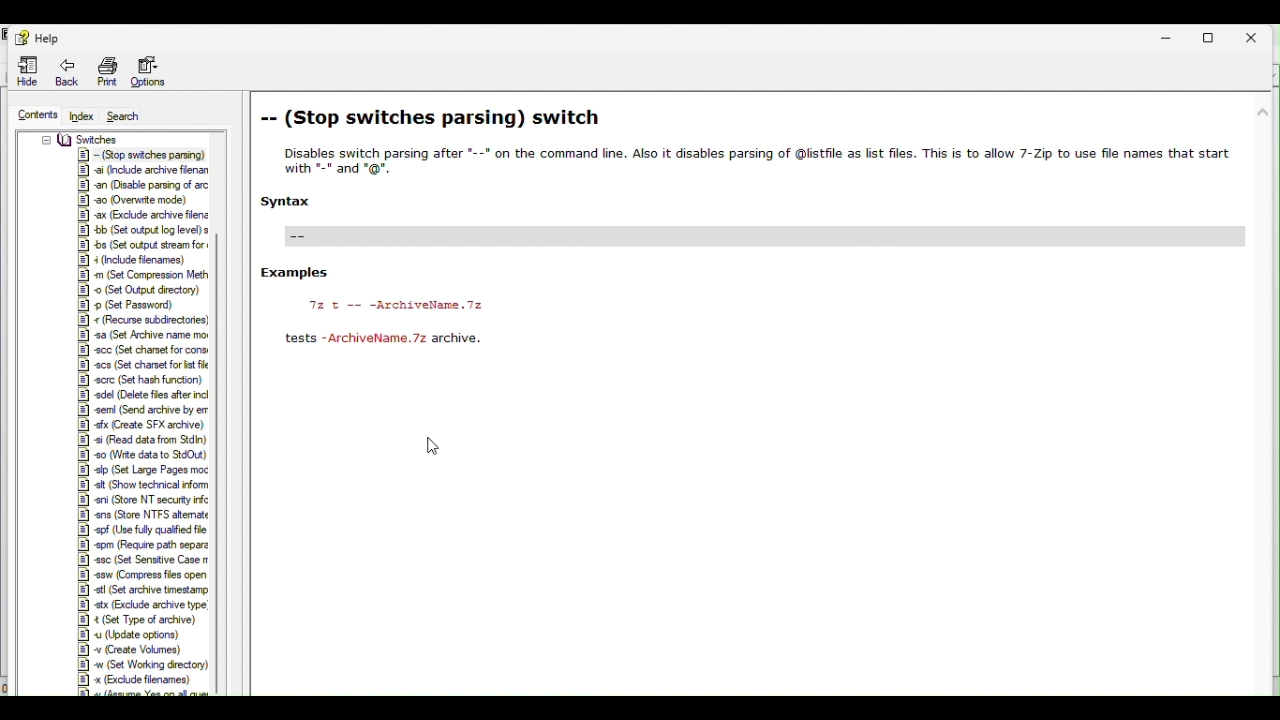 This screenshot has height=720, width=1280. Describe the element at coordinates (142, 201) in the screenshot. I see `` at that location.